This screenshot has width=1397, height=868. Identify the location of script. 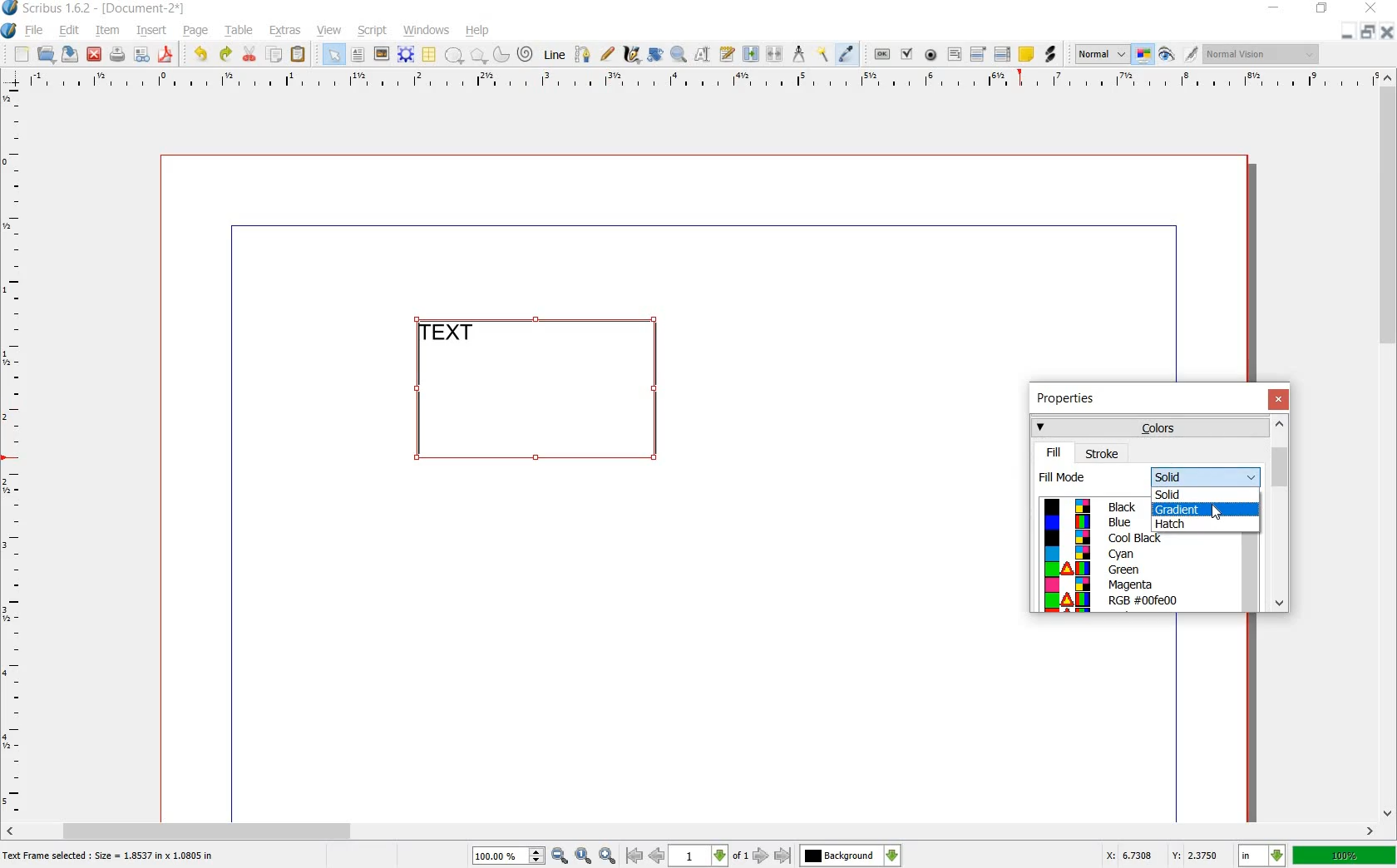
(373, 31).